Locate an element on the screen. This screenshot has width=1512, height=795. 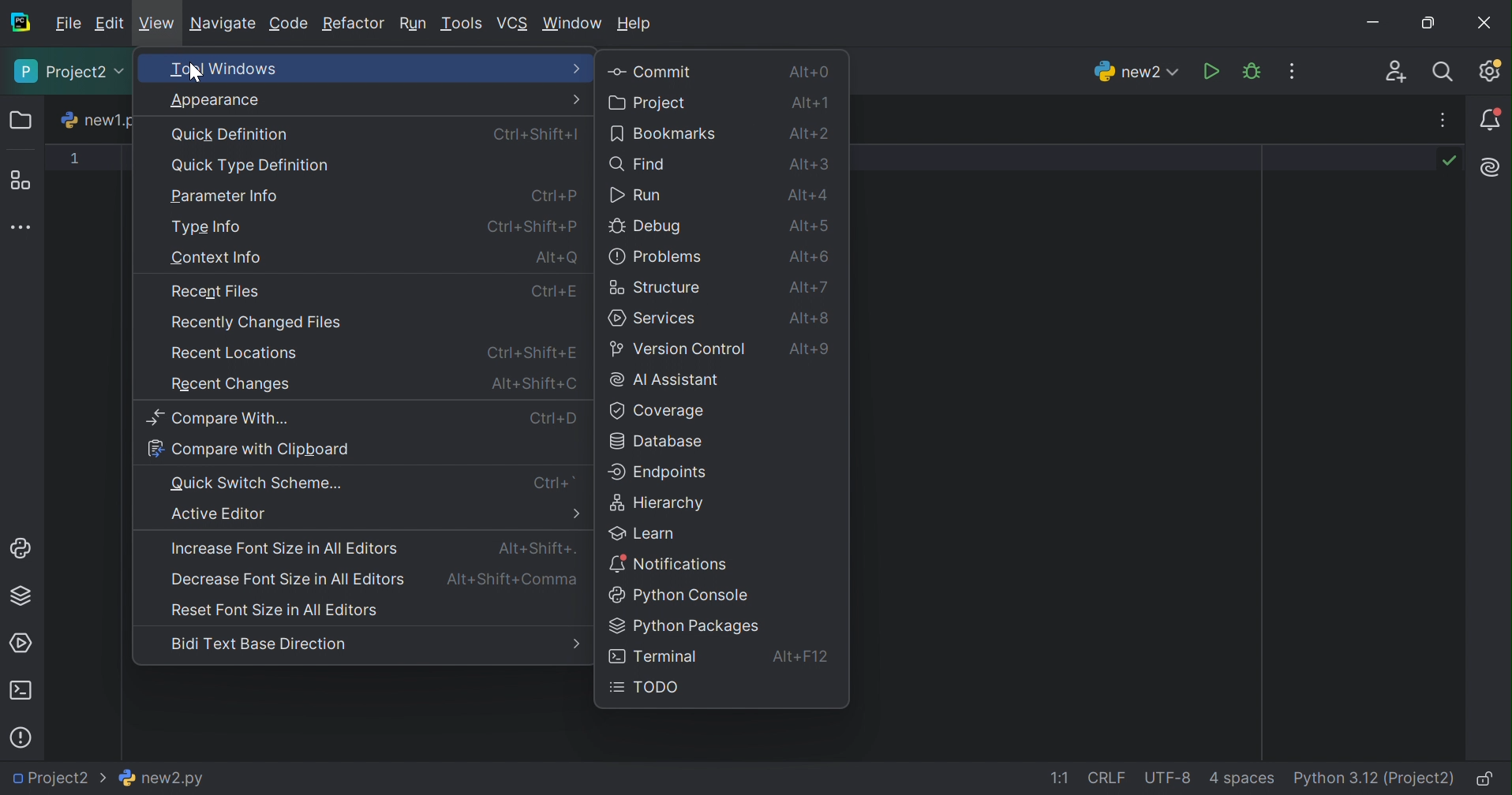
Ctrl+Shift+P is located at coordinates (531, 226).